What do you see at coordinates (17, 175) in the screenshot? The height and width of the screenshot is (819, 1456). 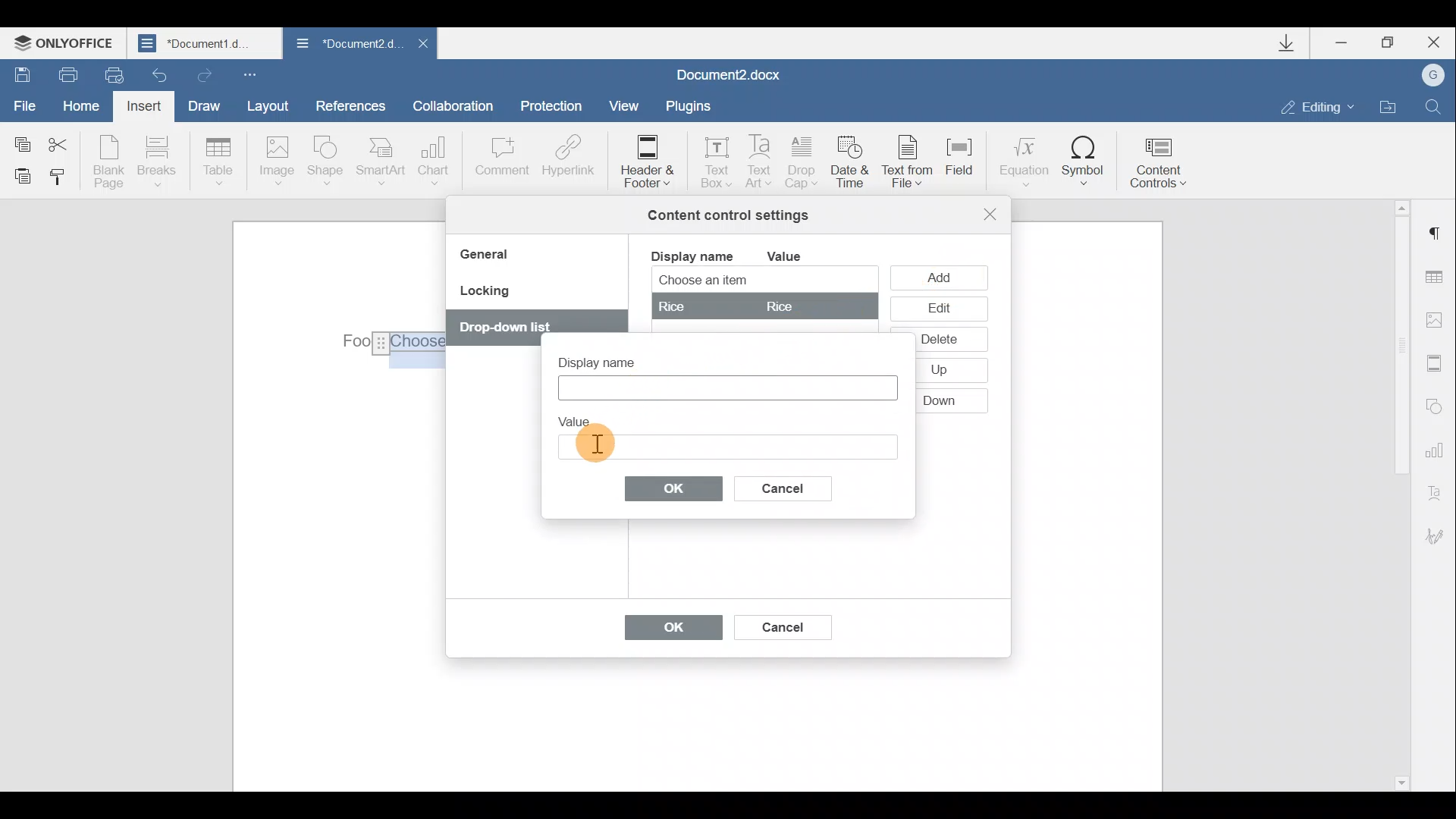 I see `Paste` at bounding box center [17, 175].